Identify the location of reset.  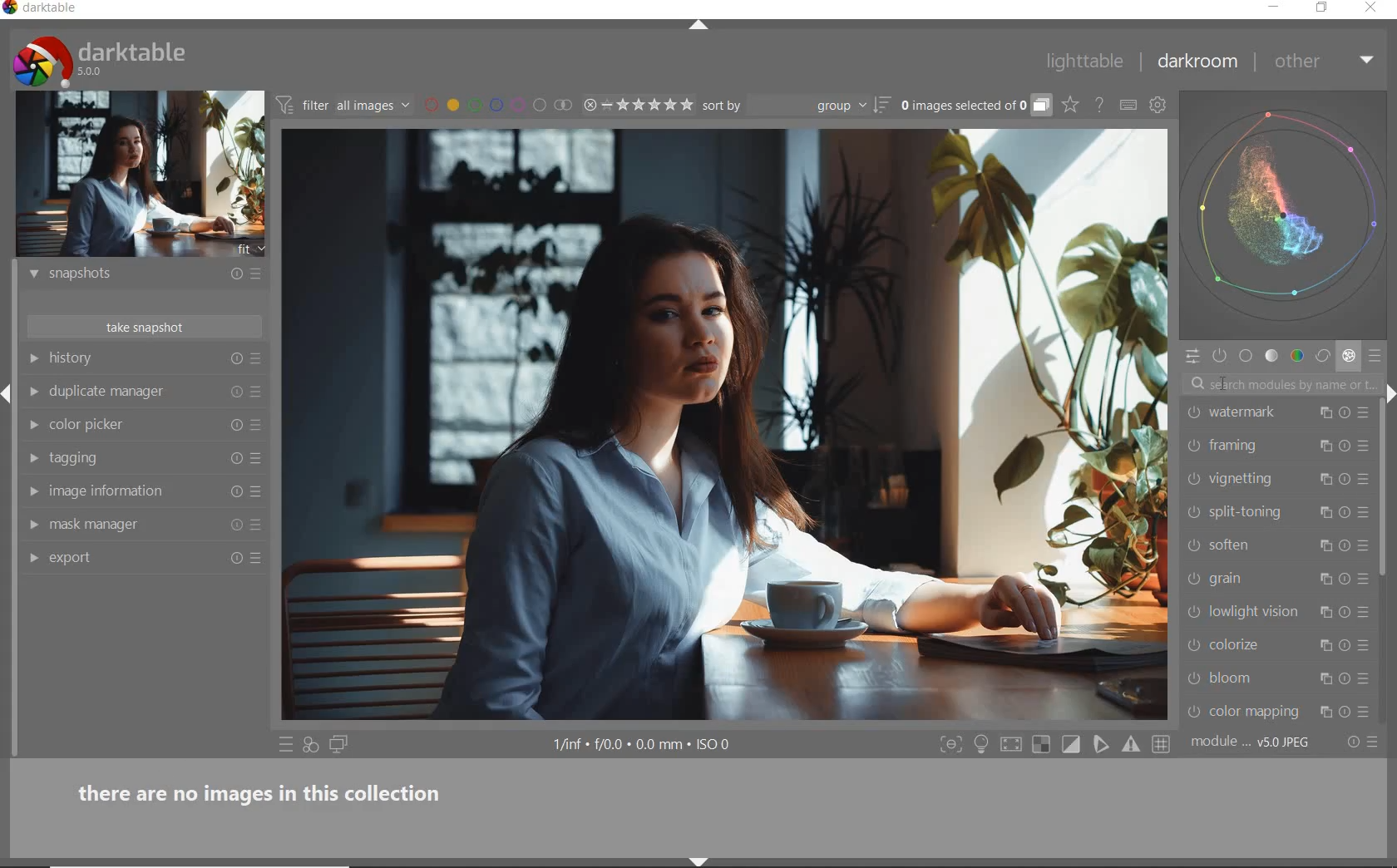
(1345, 412).